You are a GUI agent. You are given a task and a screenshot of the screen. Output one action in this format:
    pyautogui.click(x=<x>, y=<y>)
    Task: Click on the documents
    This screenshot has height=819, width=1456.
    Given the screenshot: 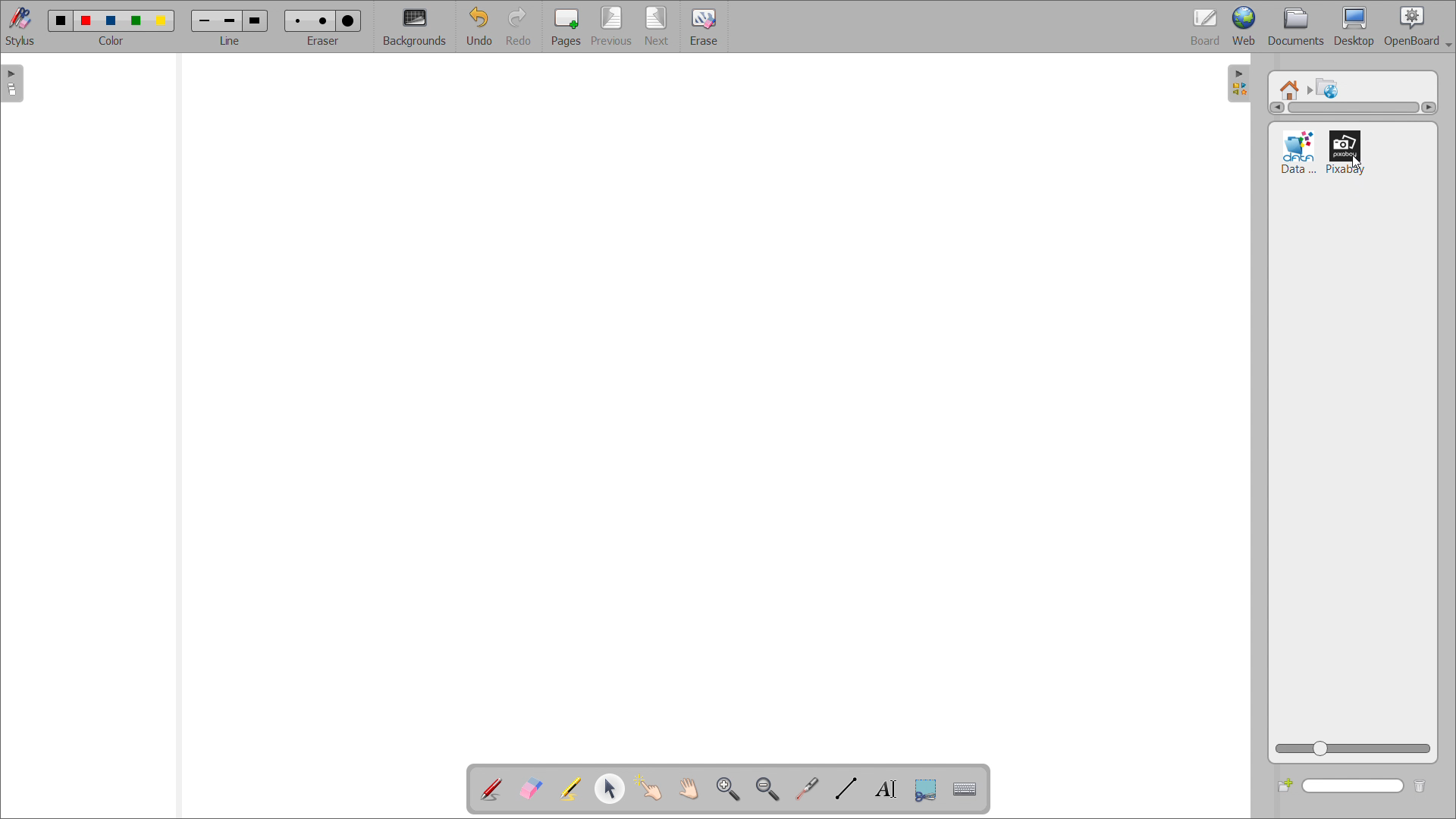 What is the action you would take?
    pyautogui.click(x=1297, y=27)
    